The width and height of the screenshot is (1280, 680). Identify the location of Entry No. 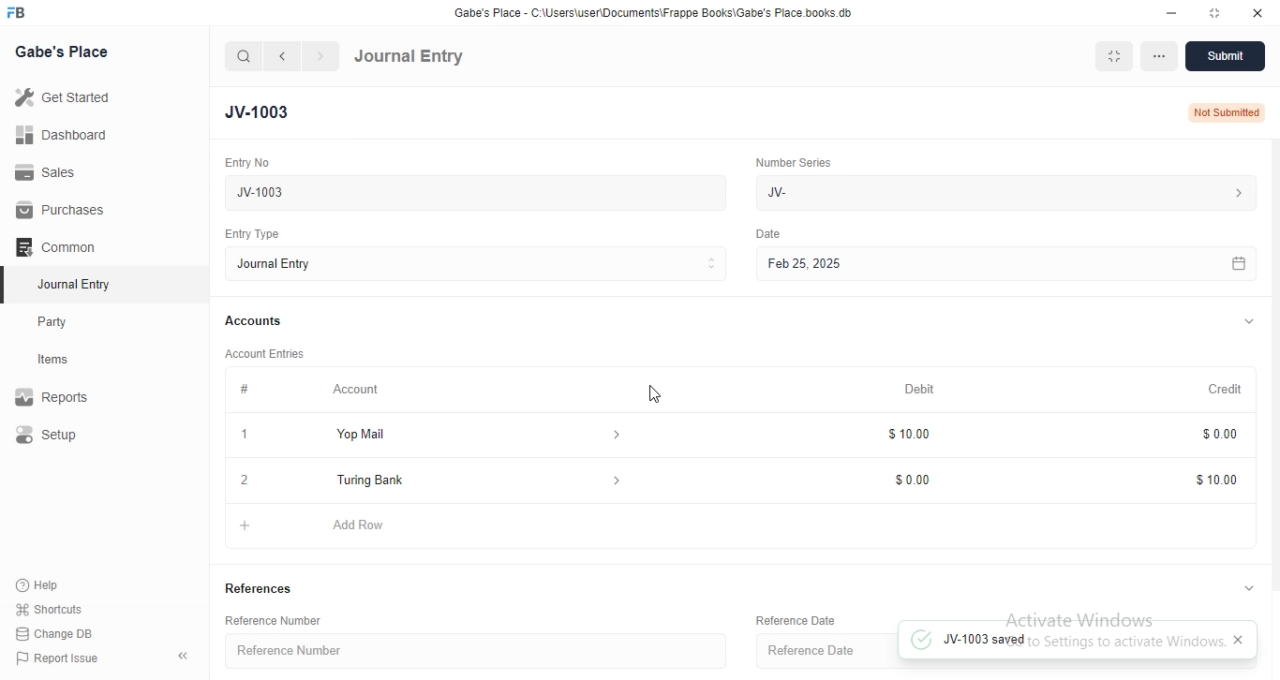
(245, 161).